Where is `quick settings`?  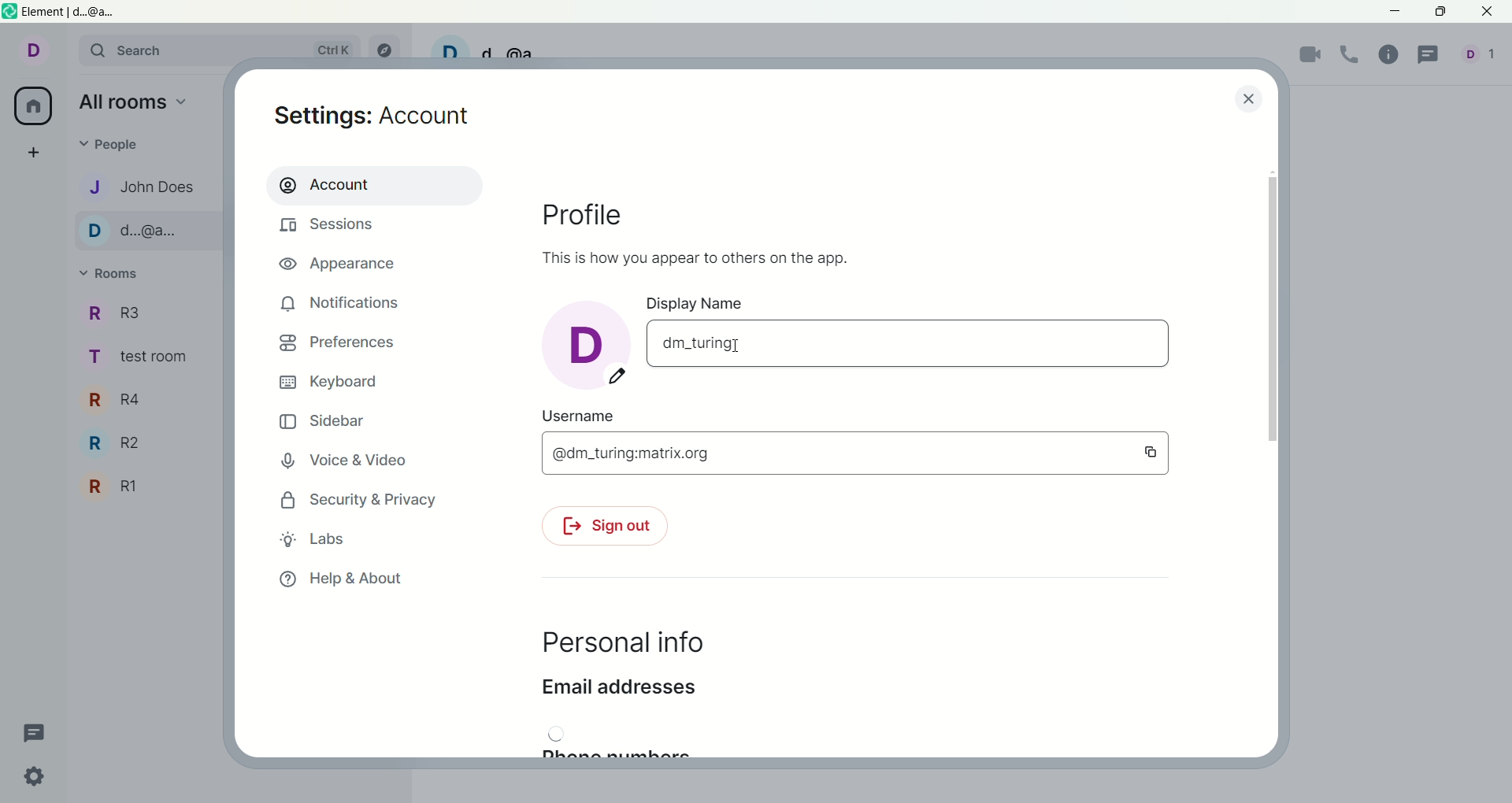 quick settings is located at coordinates (37, 780).